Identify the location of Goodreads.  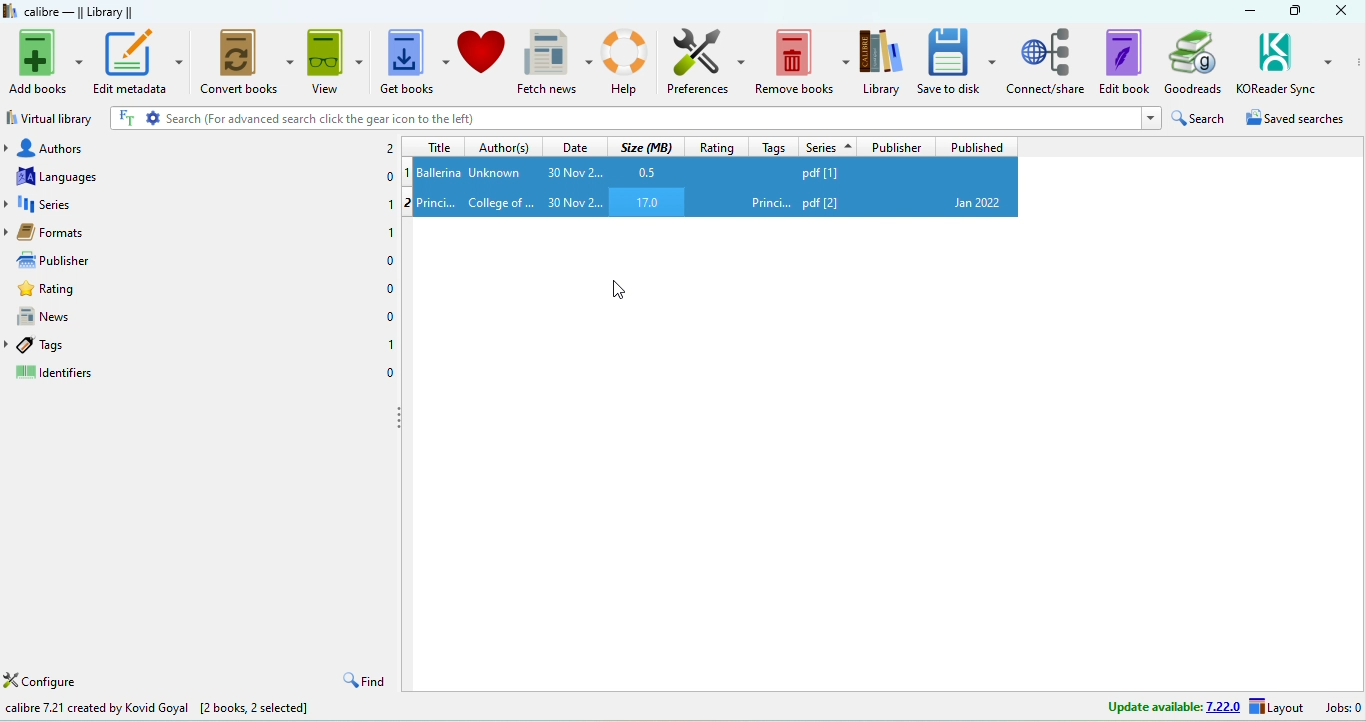
(1193, 62).